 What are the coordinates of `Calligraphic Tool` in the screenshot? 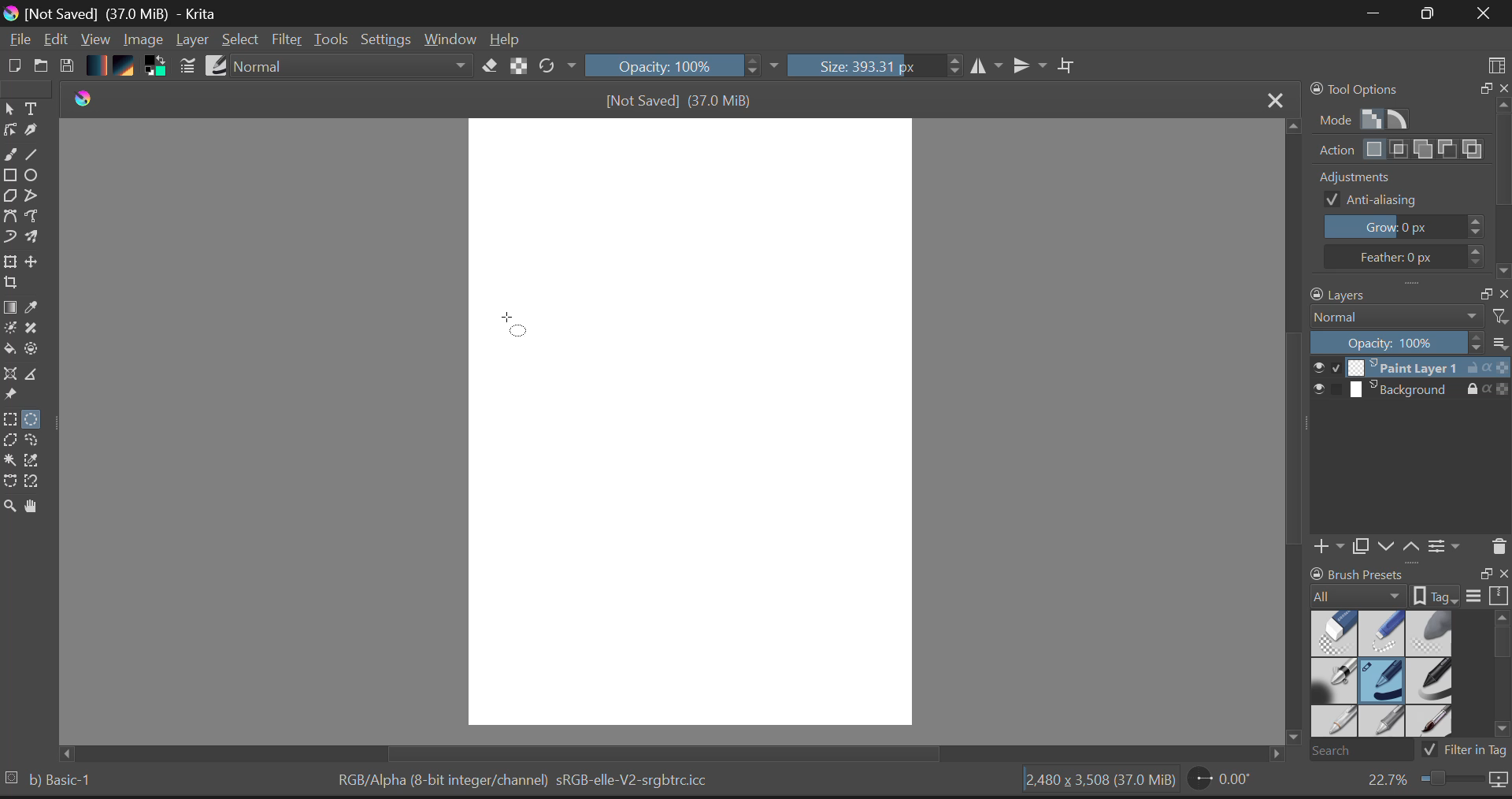 It's located at (31, 133).